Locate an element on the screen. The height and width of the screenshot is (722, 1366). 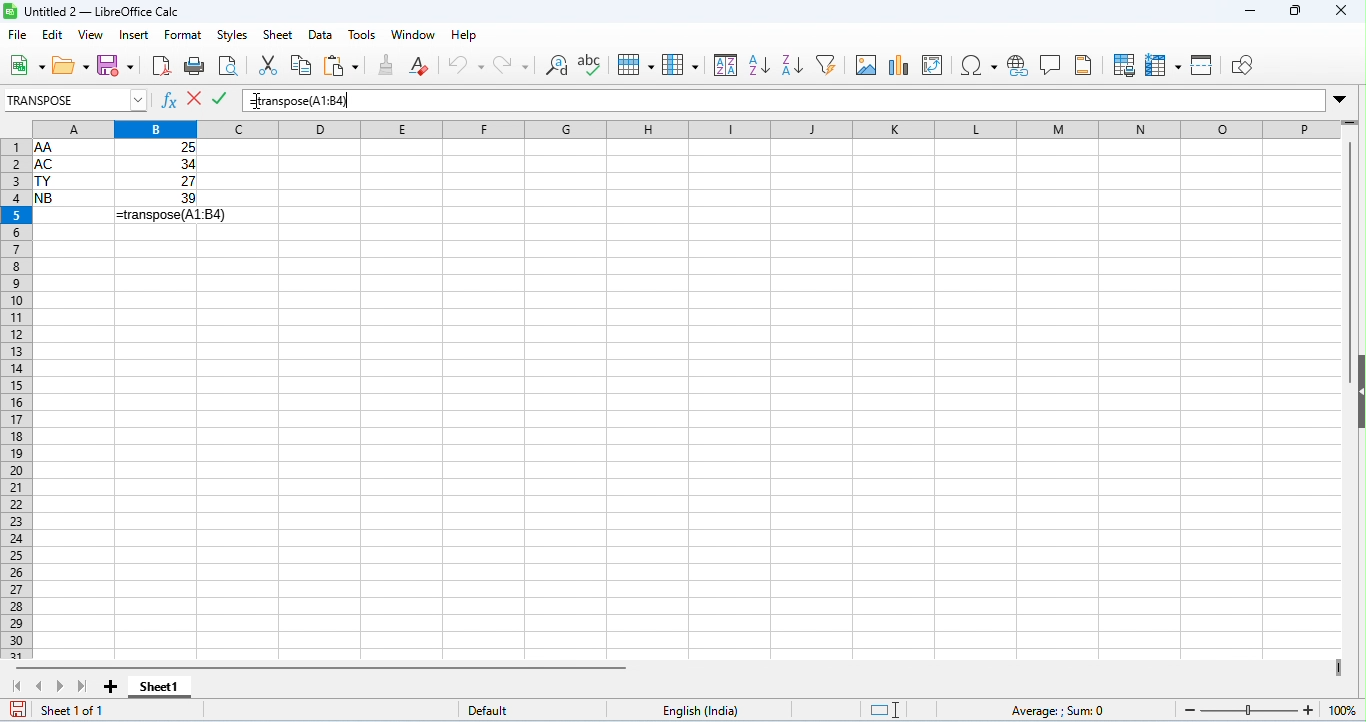
print preview is located at coordinates (230, 67).